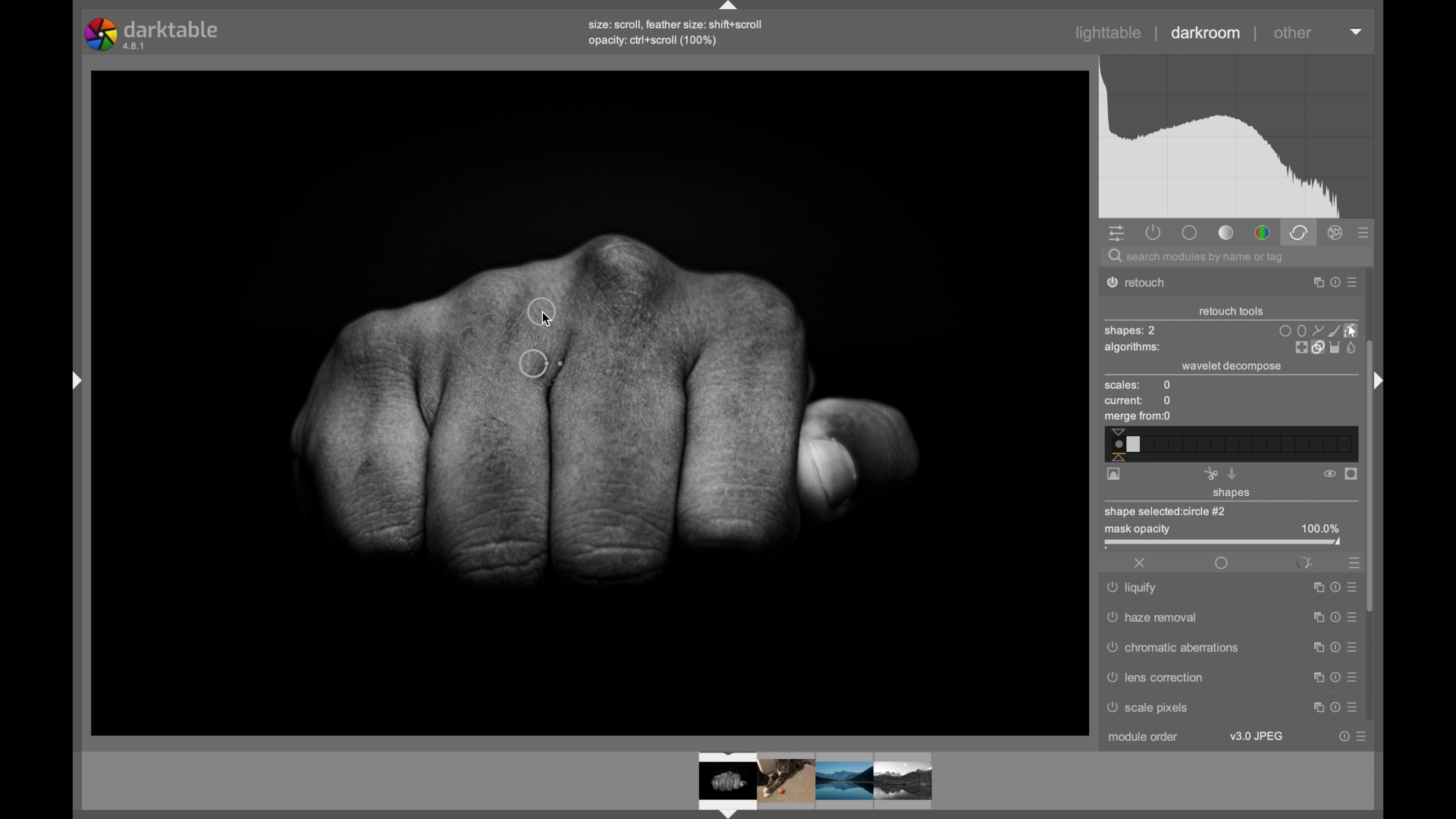 Image resolution: width=1456 pixels, height=819 pixels. Describe the element at coordinates (1373, 483) in the screenshot. I see `scroll box` at that location.